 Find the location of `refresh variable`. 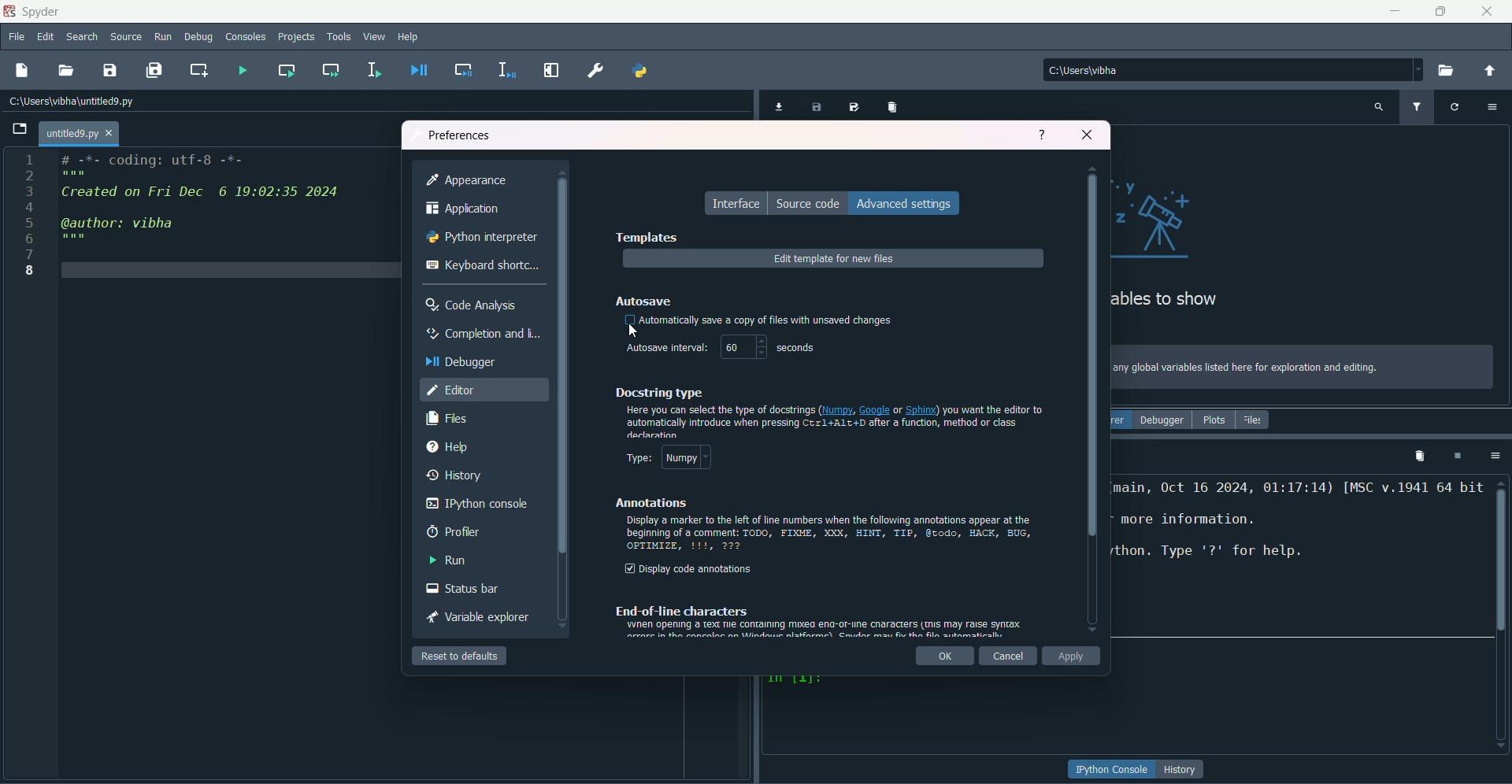

refresh variable is located at coordinates (1455, 105).